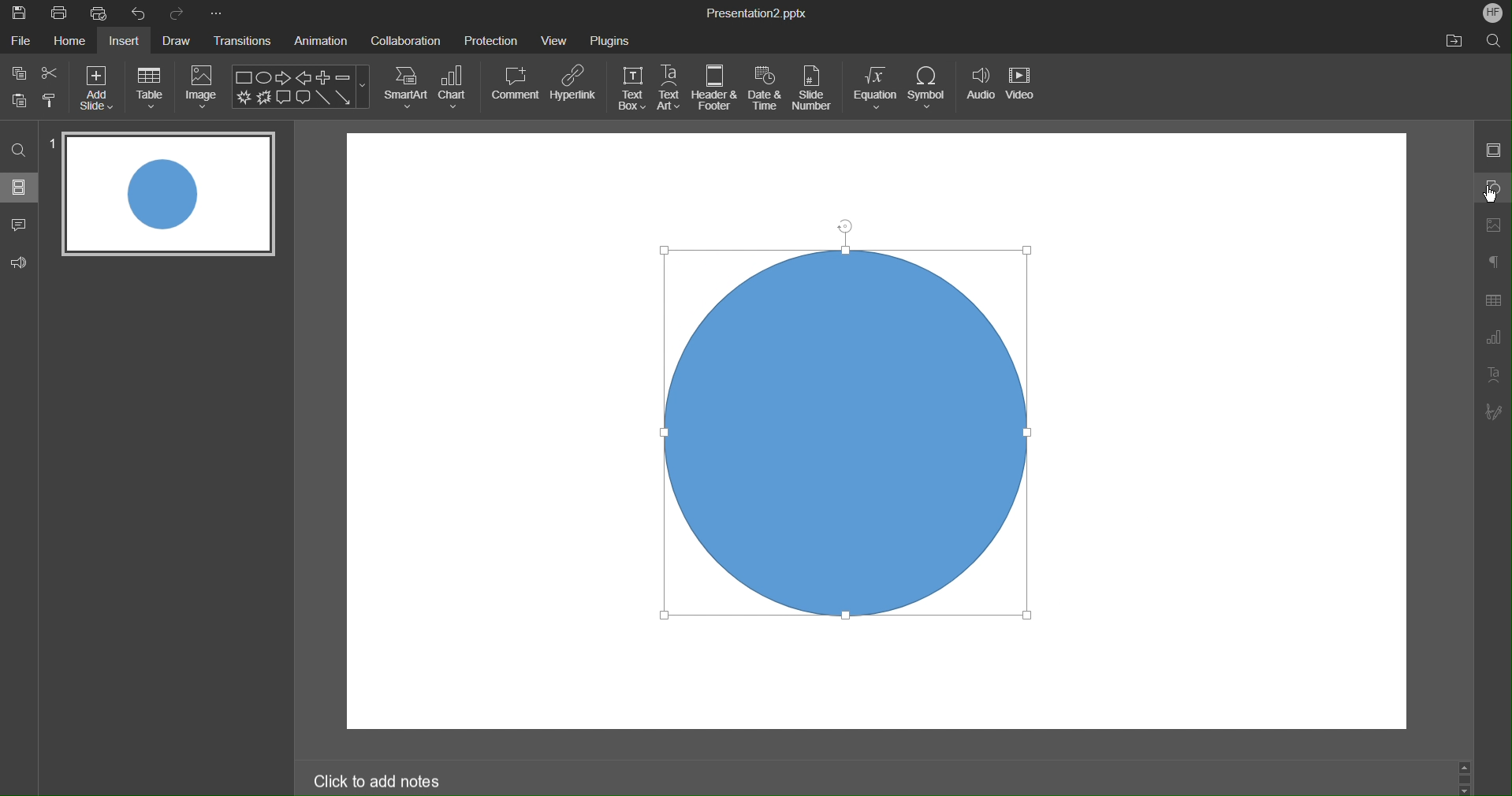 The height and width of the screenshot is (796, 1512). What do you see at coordinates (855, 685) in the screenshot?
I see `workspace` at bounding box center [855, 685].